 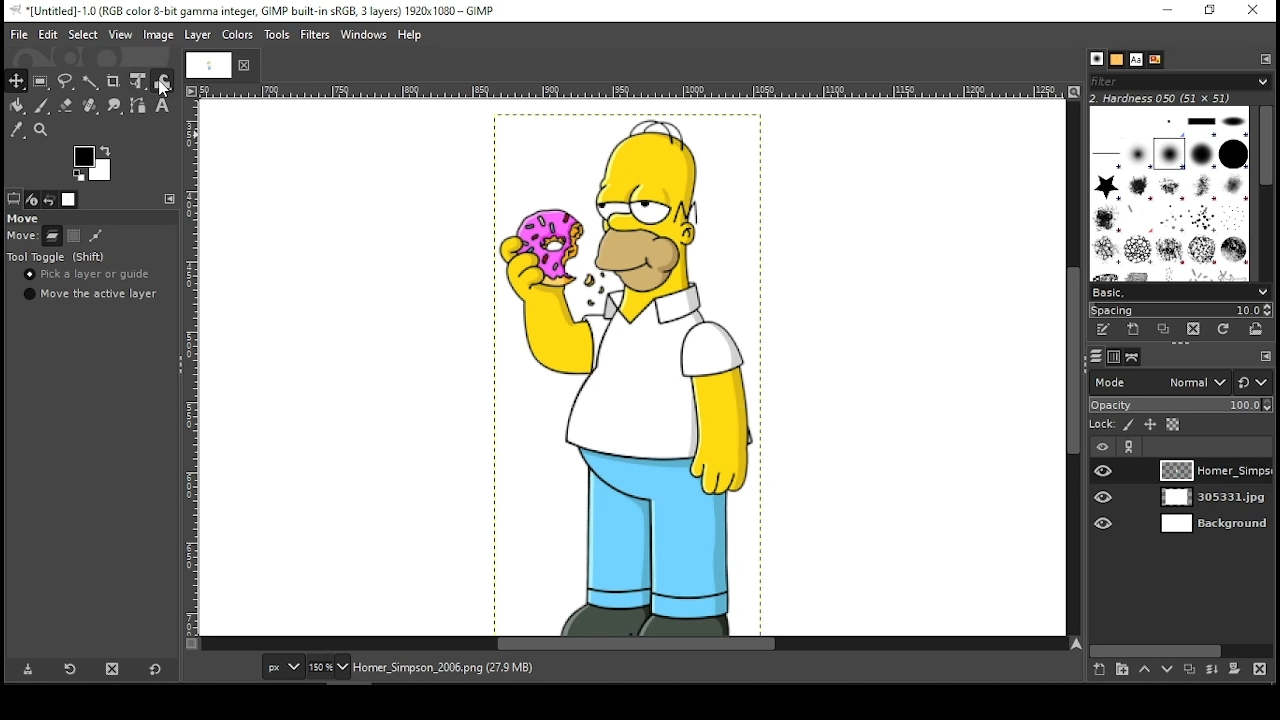 I want to click on hardness 050, so click(x=1187, y=99).